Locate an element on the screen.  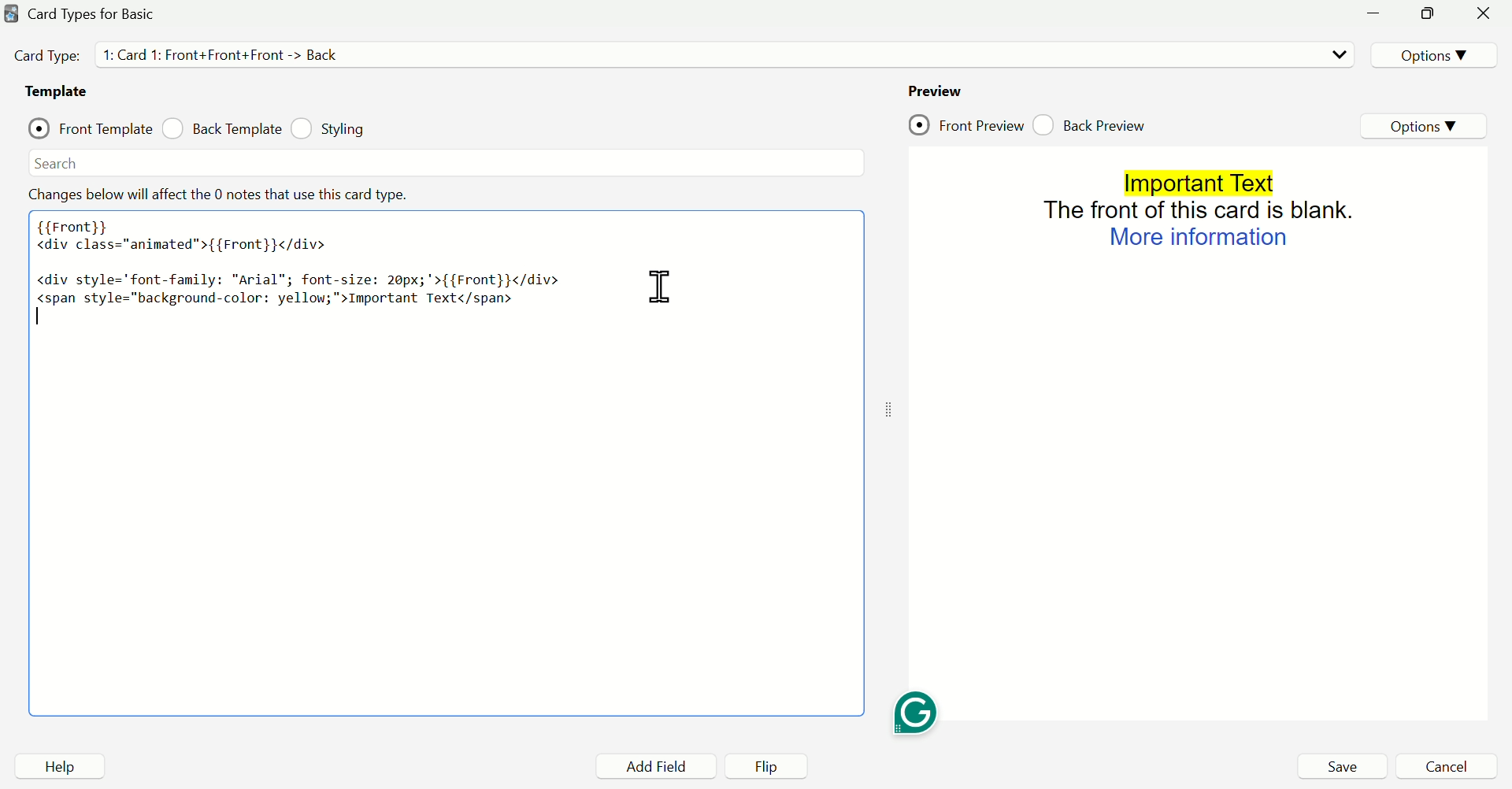
Minimize is located at coordinates (1374, 13).